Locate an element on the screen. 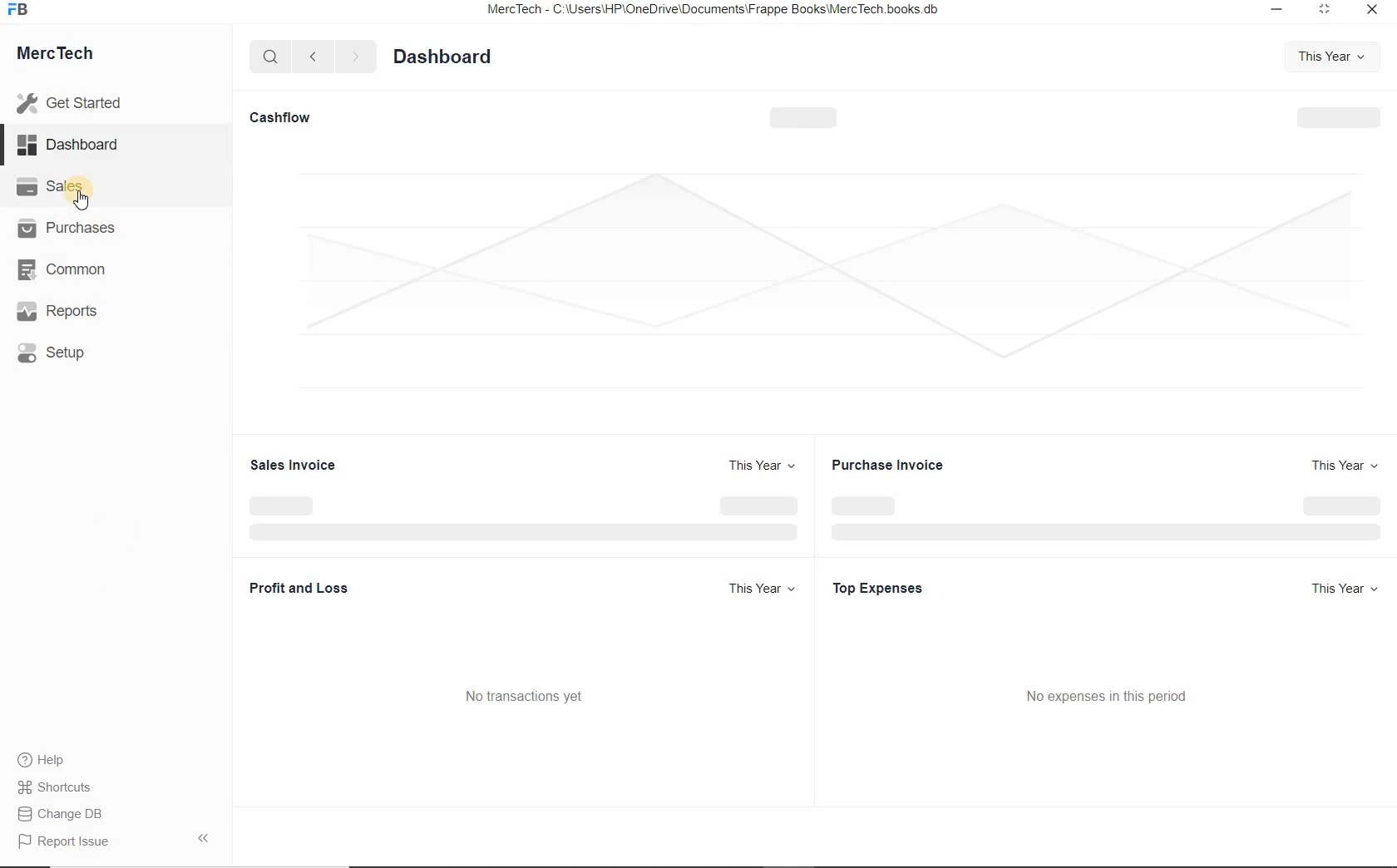 This screenshot has height=868, width=1397. Change DB is located at coordinates (62, 814).